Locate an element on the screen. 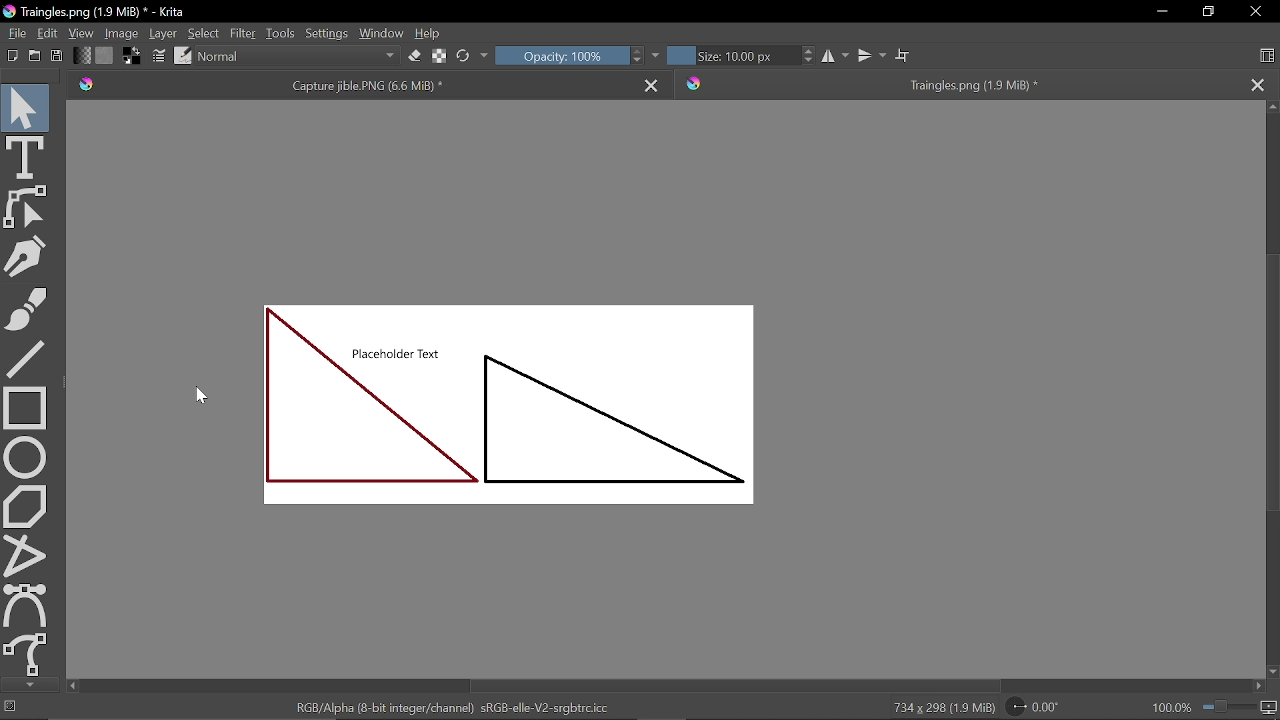 Image resolution: width=1280 pixels, height=720 pixels. Size is located at coordinates (730, 55).